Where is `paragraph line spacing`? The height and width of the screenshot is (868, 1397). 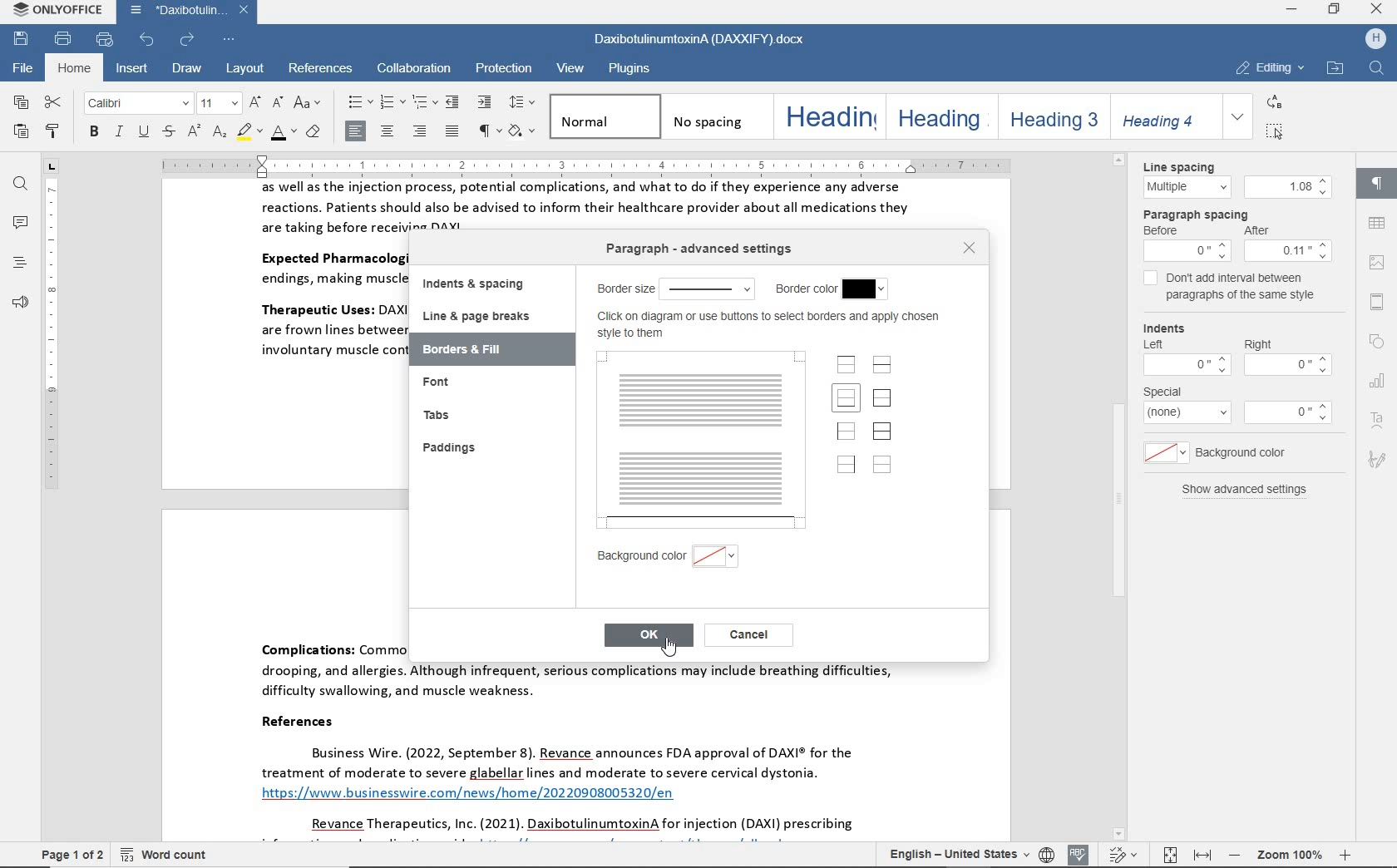
paragraph line spacing is located at coordinates (523, 102).